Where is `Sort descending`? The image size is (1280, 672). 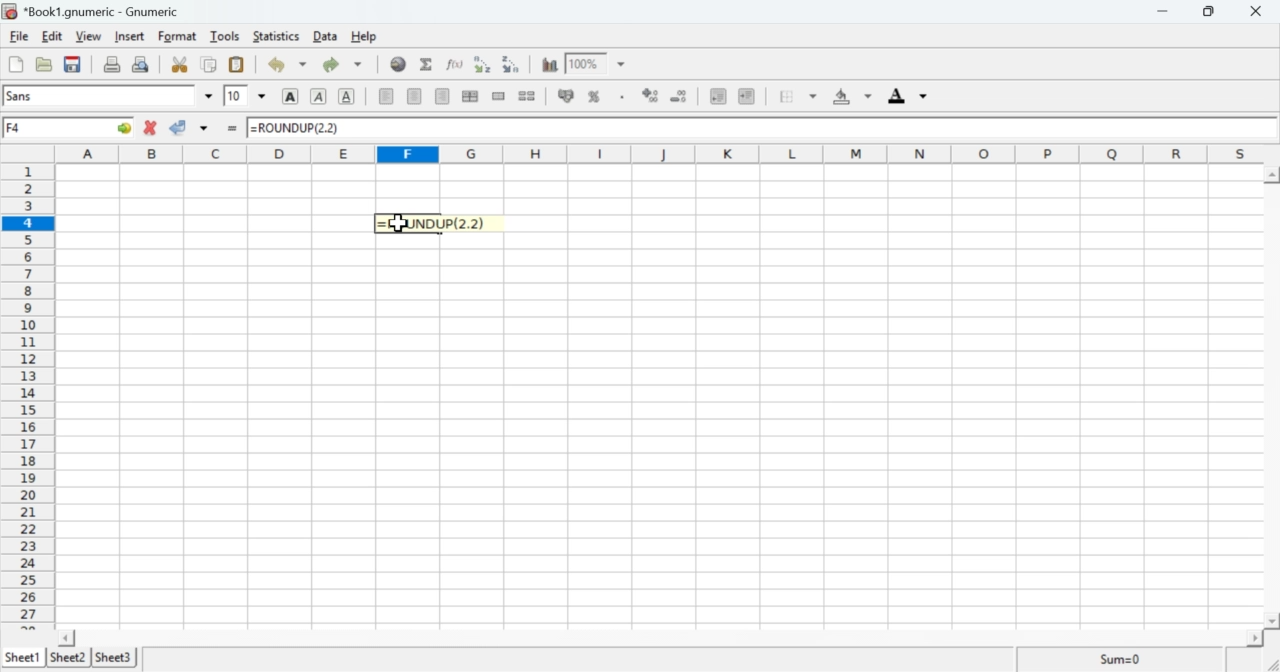 Sort descending is located at coordinates (511, 64).